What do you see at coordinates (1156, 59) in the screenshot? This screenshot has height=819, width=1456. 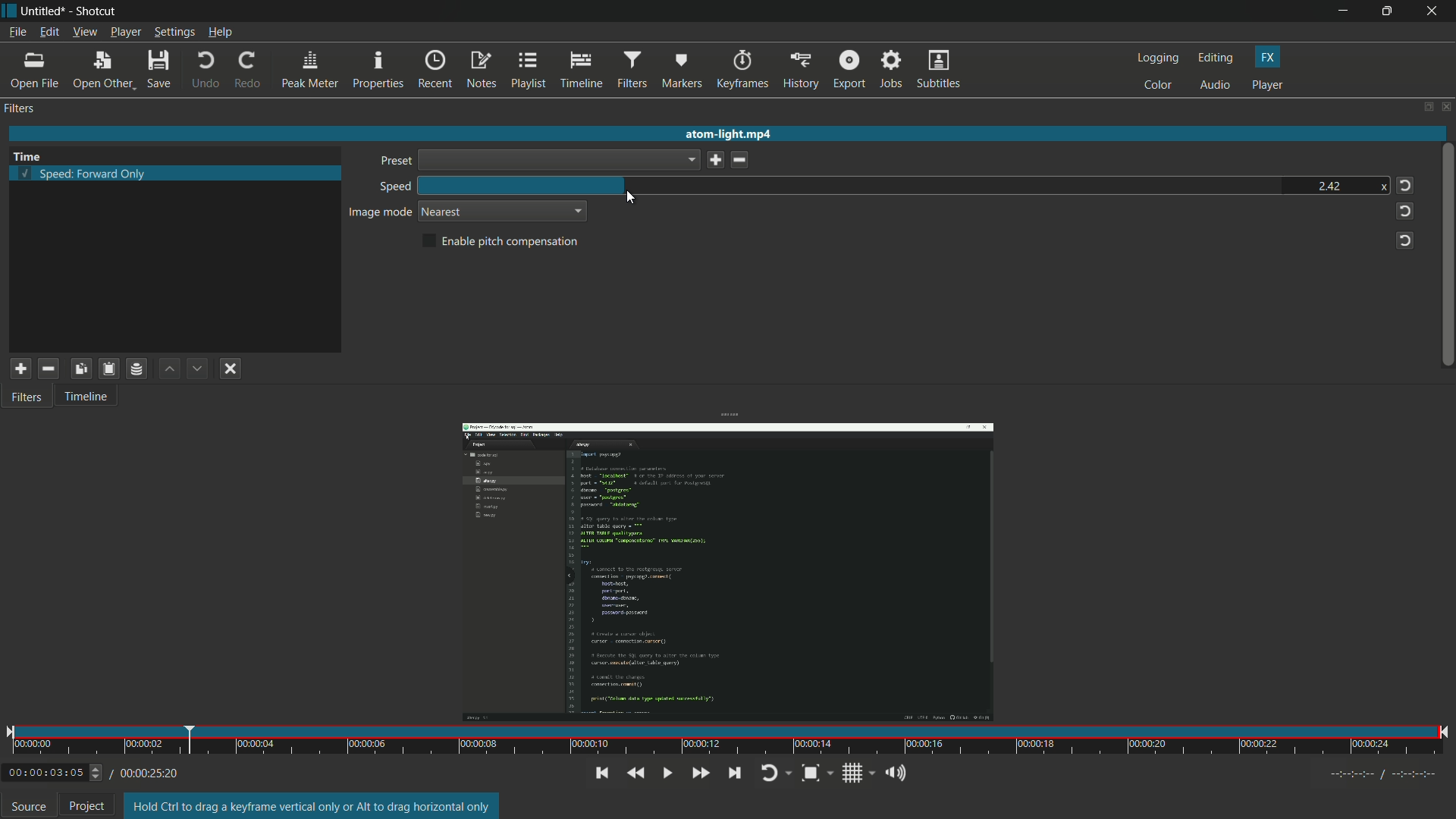 I see `logging` at bounding box center [1156, 59].